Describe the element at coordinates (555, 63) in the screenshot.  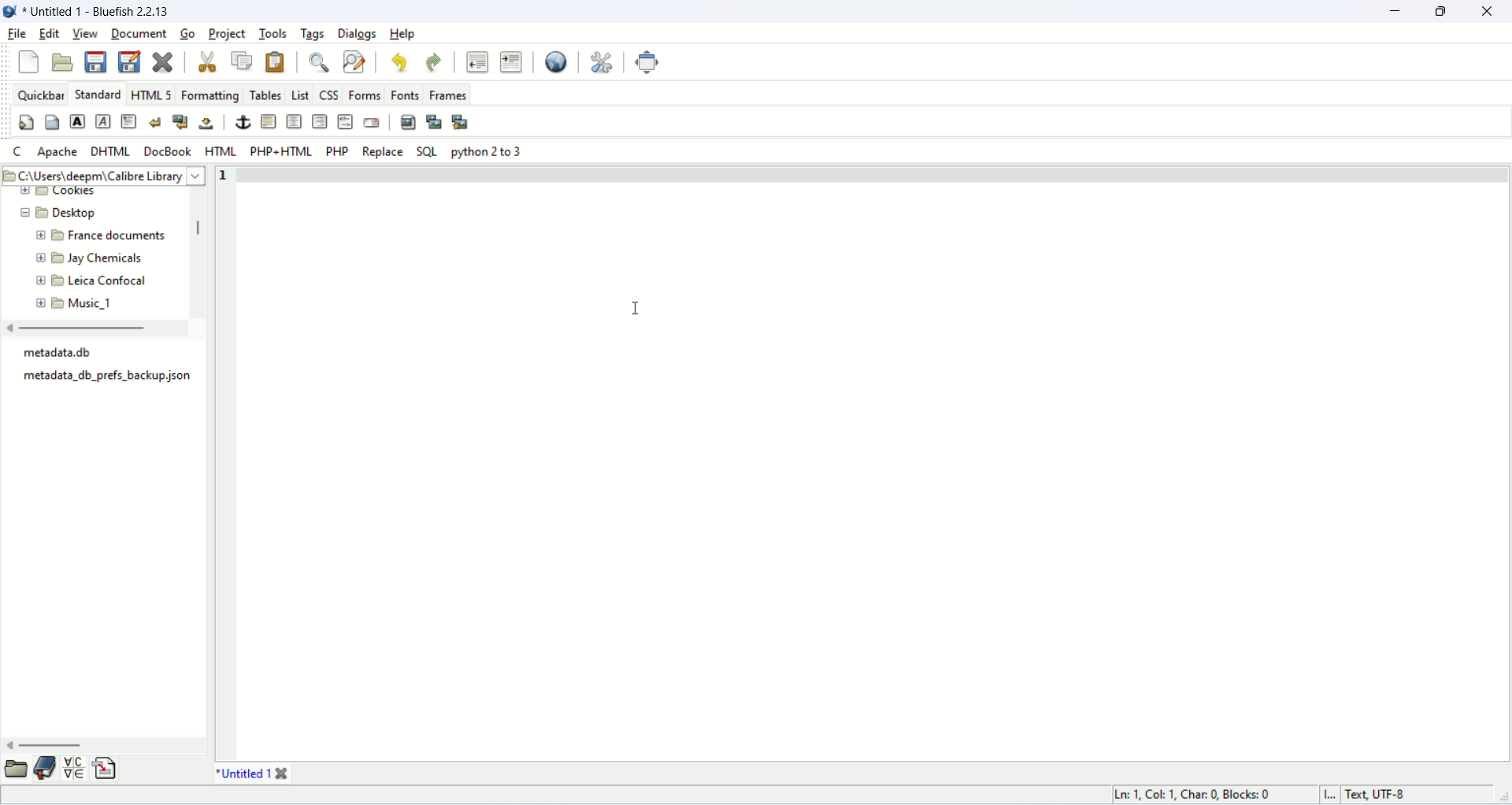
I see `view in browser` at that location.